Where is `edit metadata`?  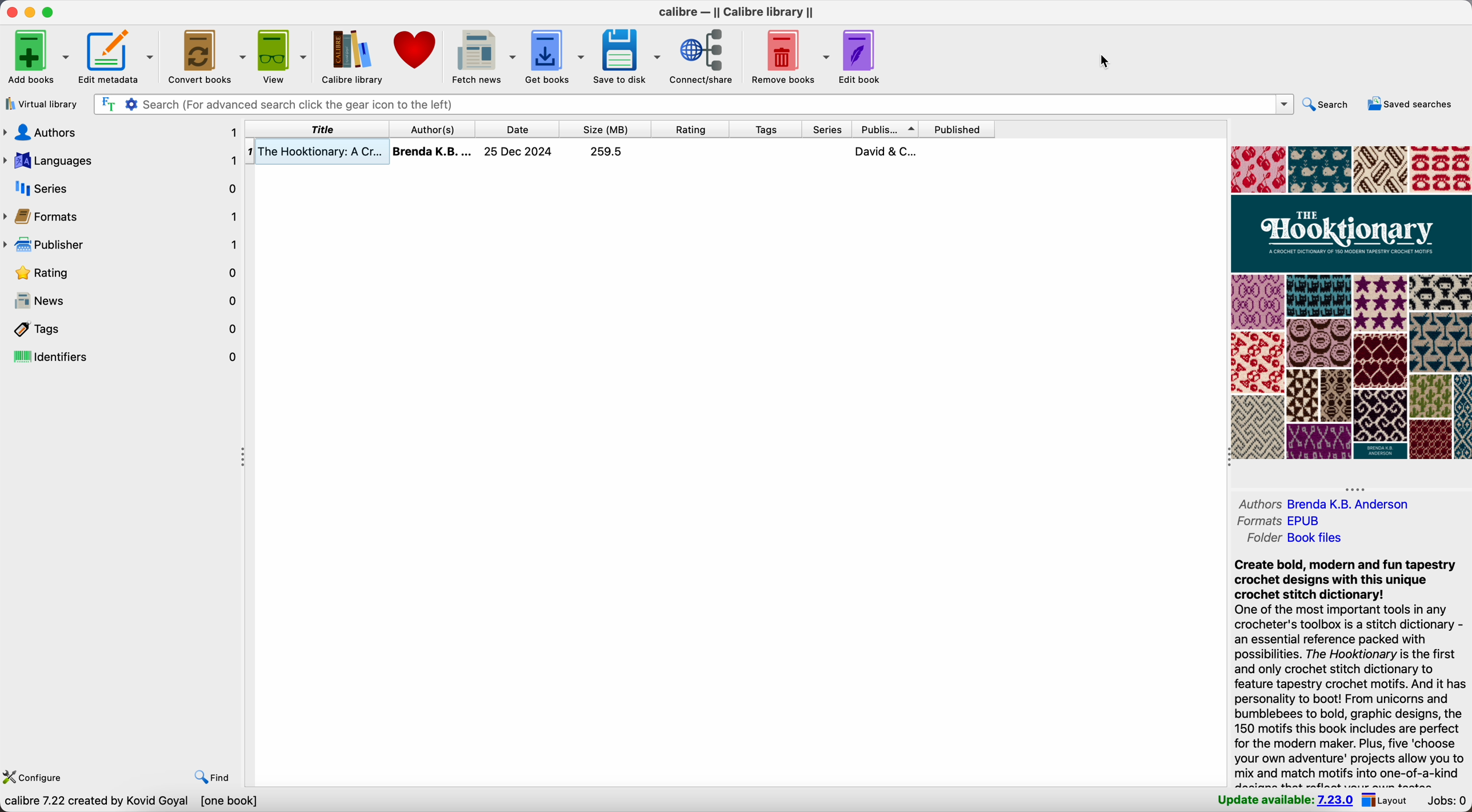 edit metadata is located at coordinates (118, 54).